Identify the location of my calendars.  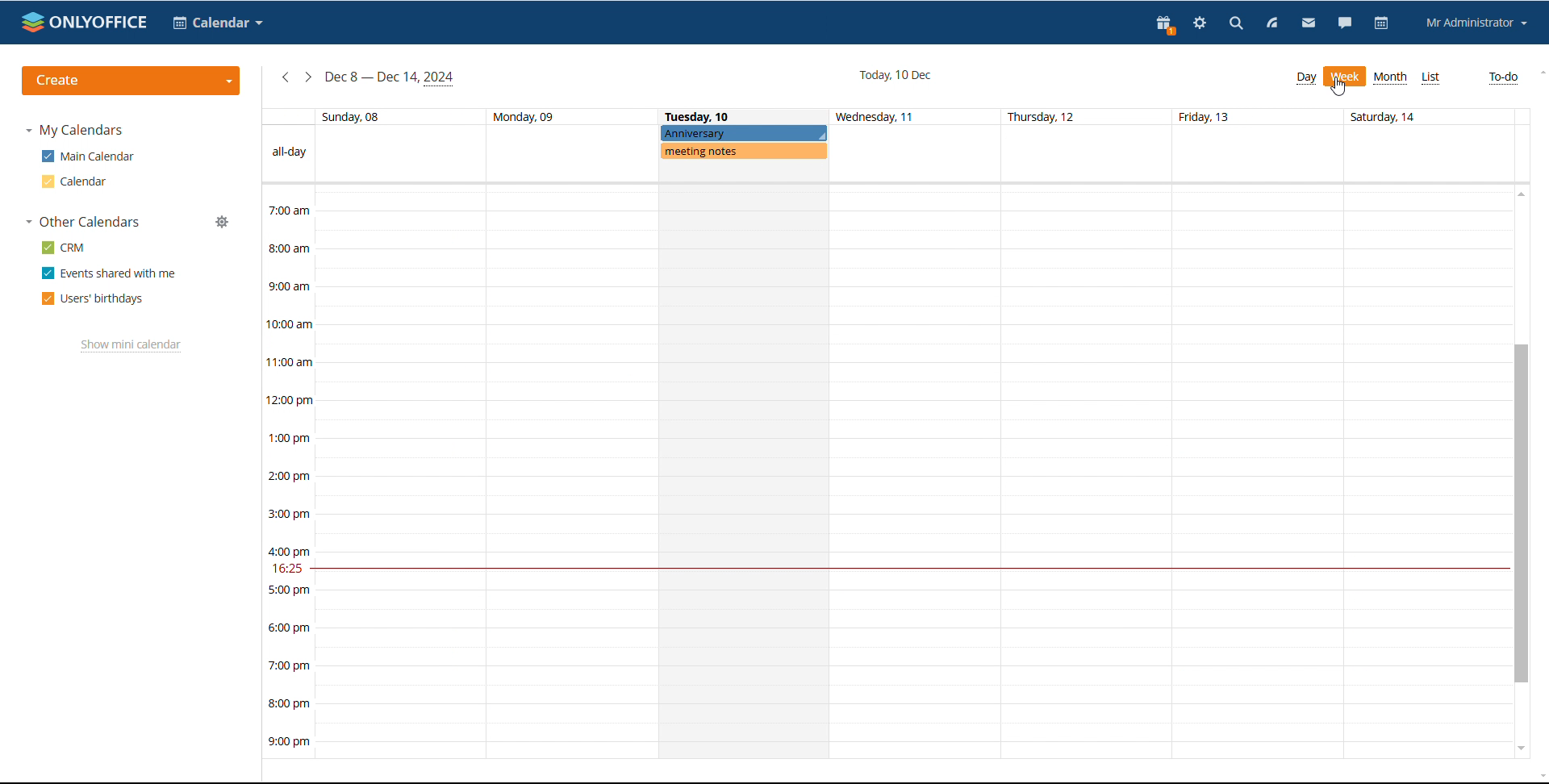
(79, 131).